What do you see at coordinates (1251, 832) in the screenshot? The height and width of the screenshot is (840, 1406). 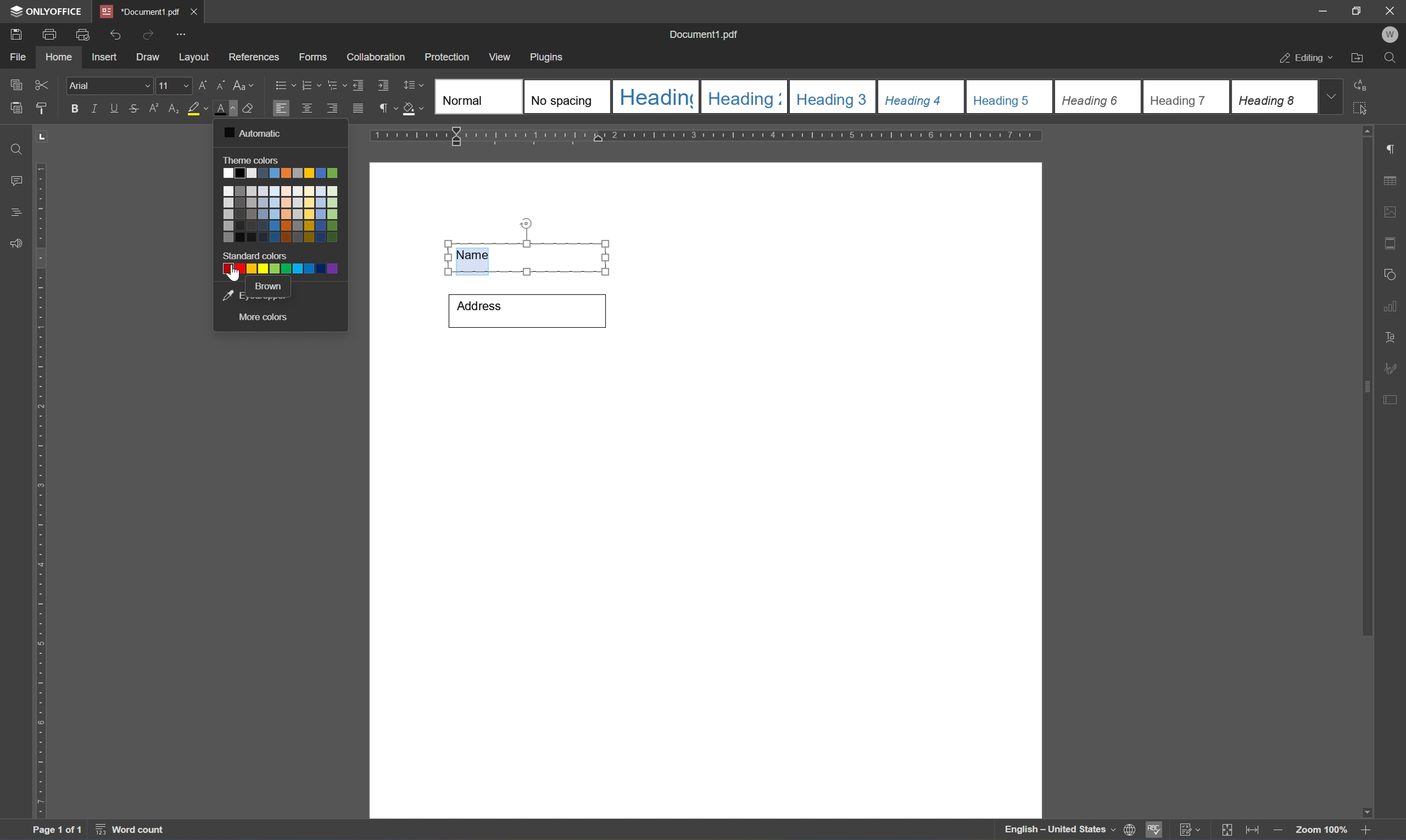 I see `fit to width` at bounding box center [1251, 832].